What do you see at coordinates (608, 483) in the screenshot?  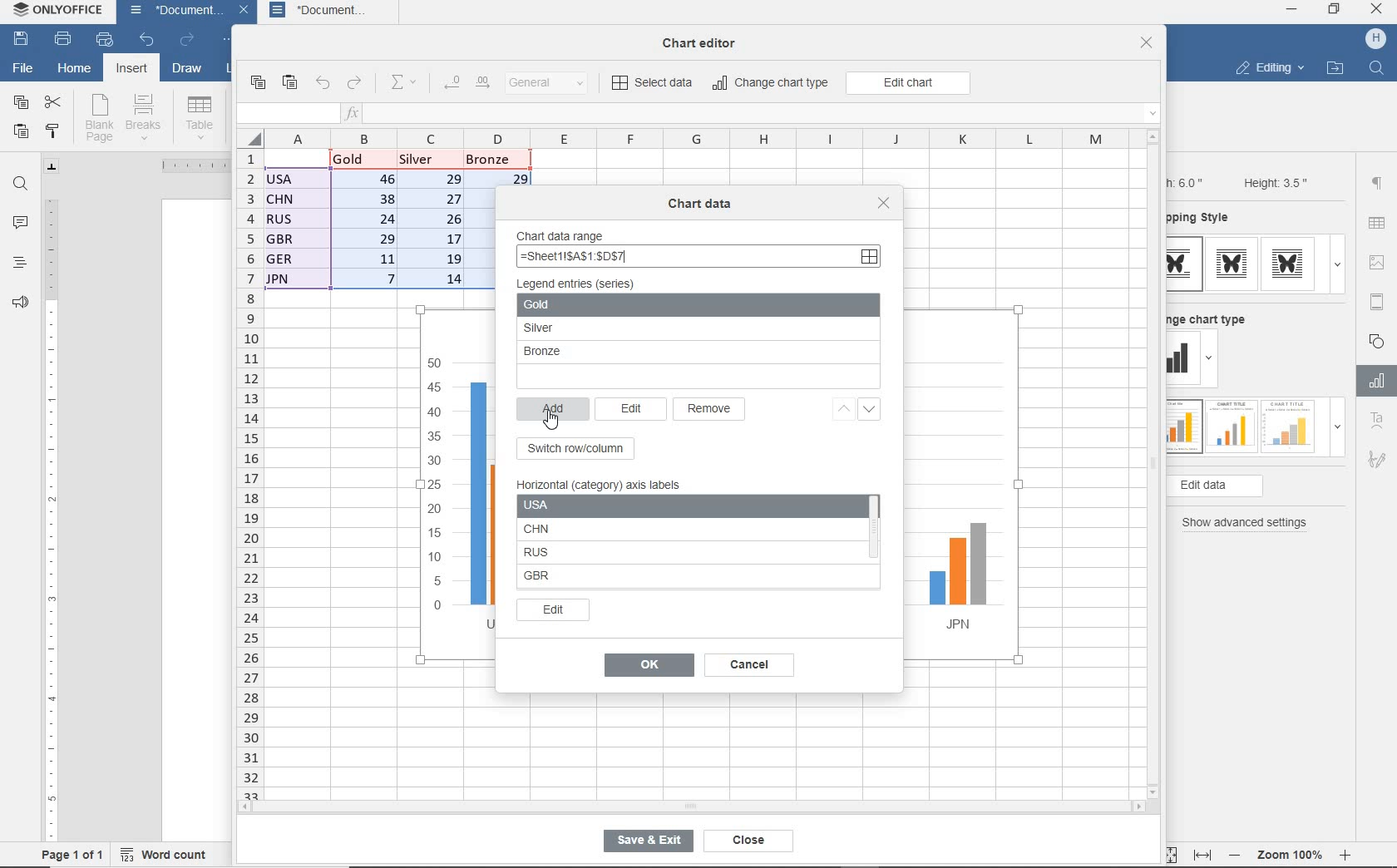 I see `horizontal (category) axis label` at bounding box center [608, 483].